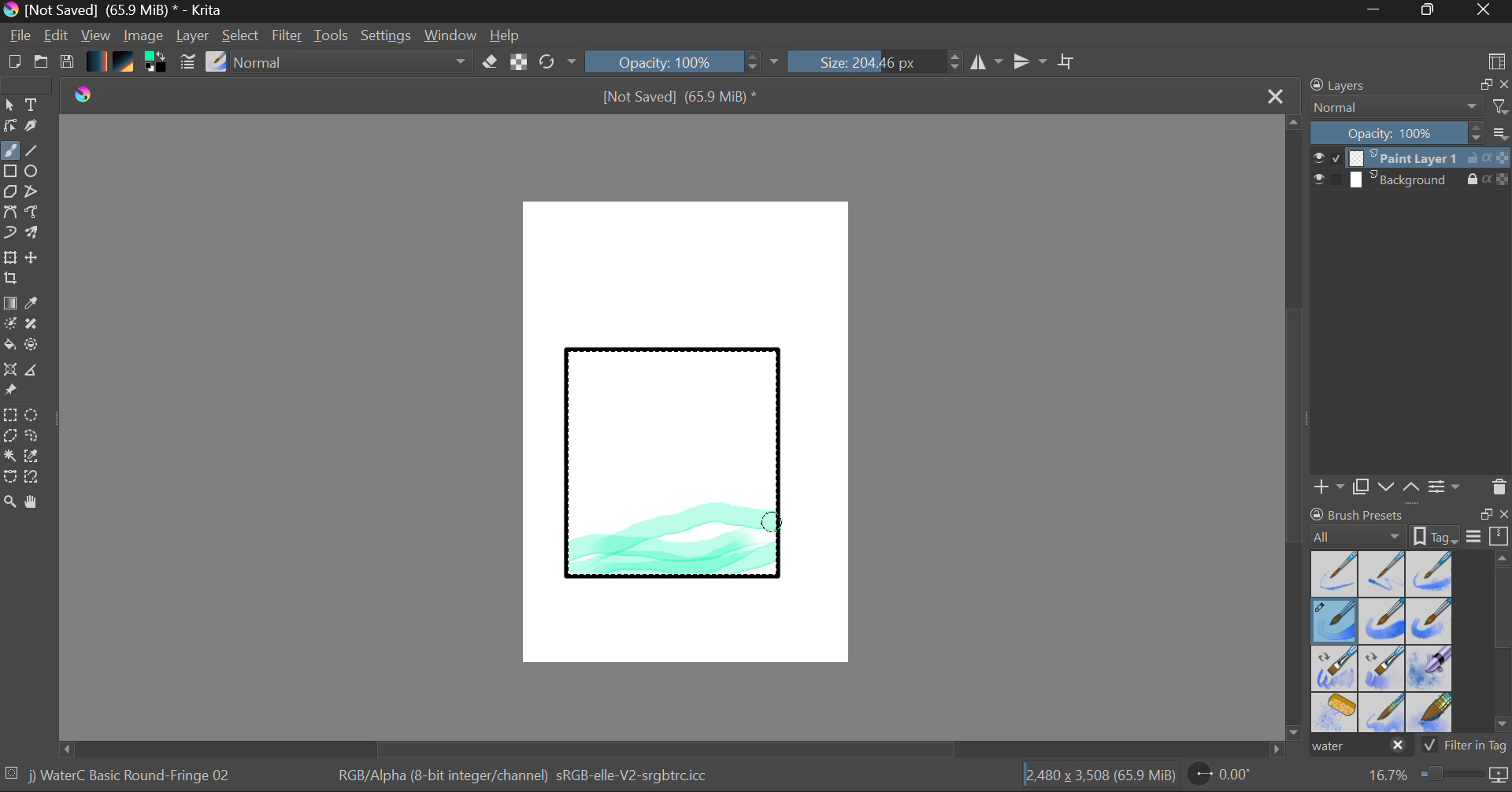 The image size is (1512, 792). I want to click on Layer Settings, so click(1445, 486).